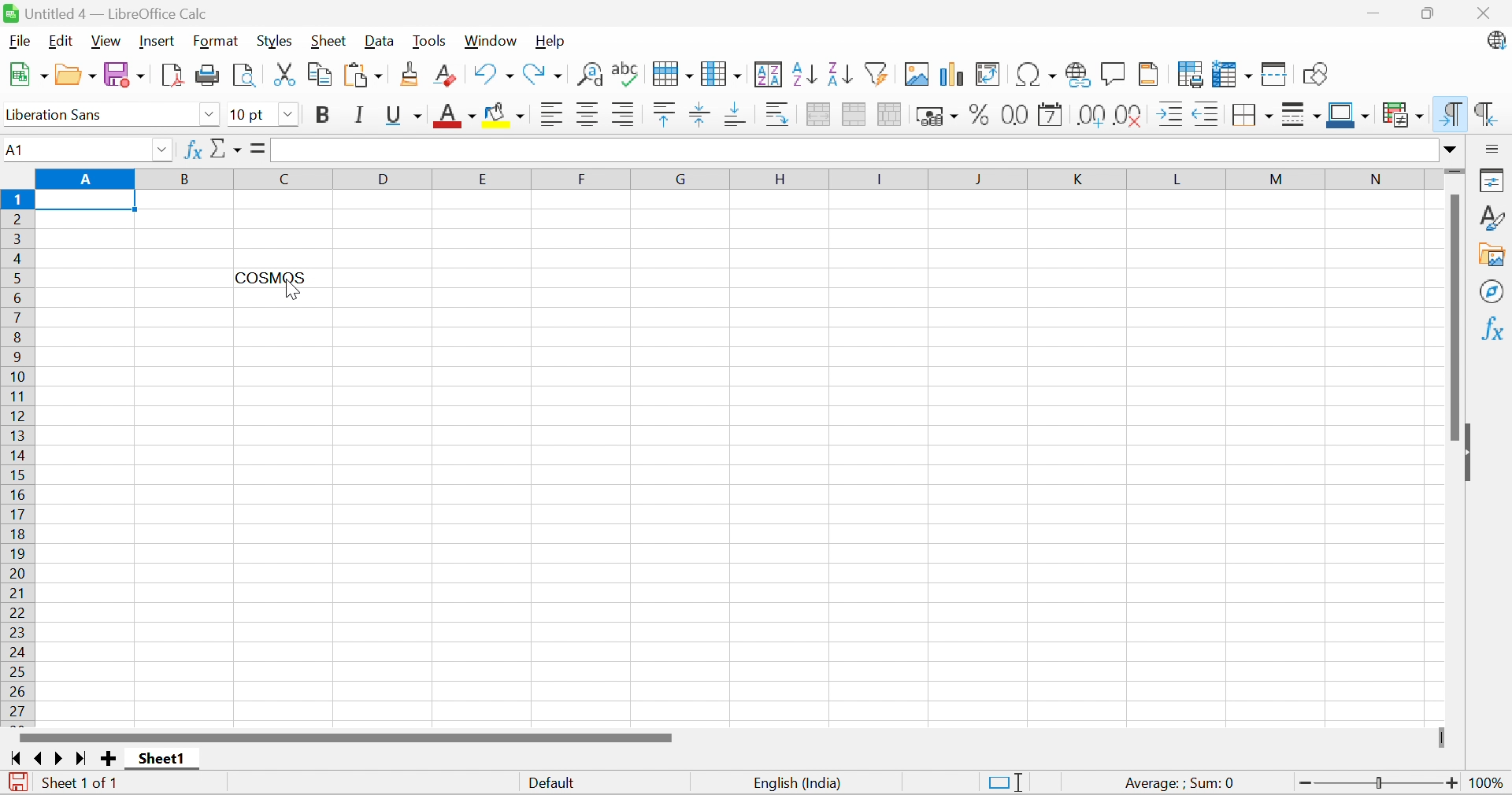  Describe the element at coordinates (454, 115) in the screenshot. I see `Font Color` at that location.